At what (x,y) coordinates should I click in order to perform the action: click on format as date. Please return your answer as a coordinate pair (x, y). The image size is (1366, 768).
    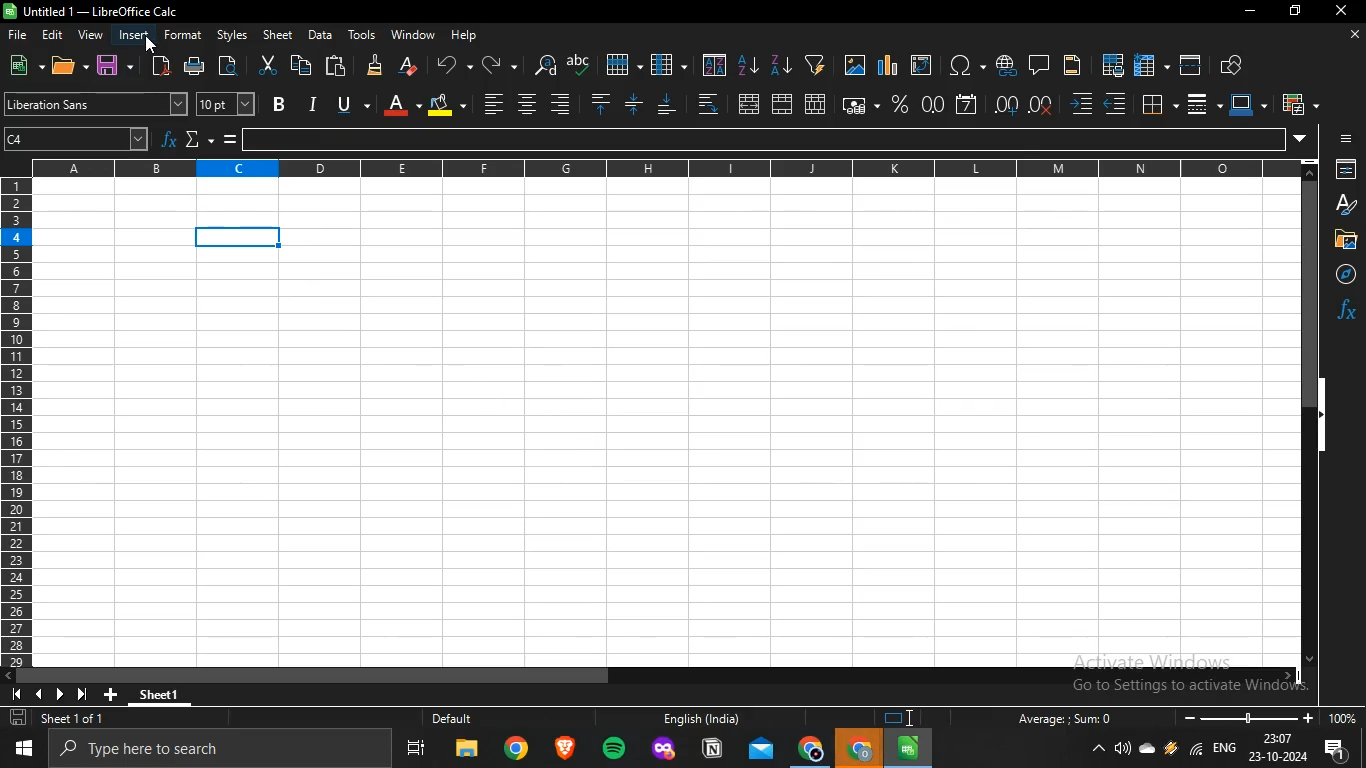
    Looking at the image, I should click on (967, 103).